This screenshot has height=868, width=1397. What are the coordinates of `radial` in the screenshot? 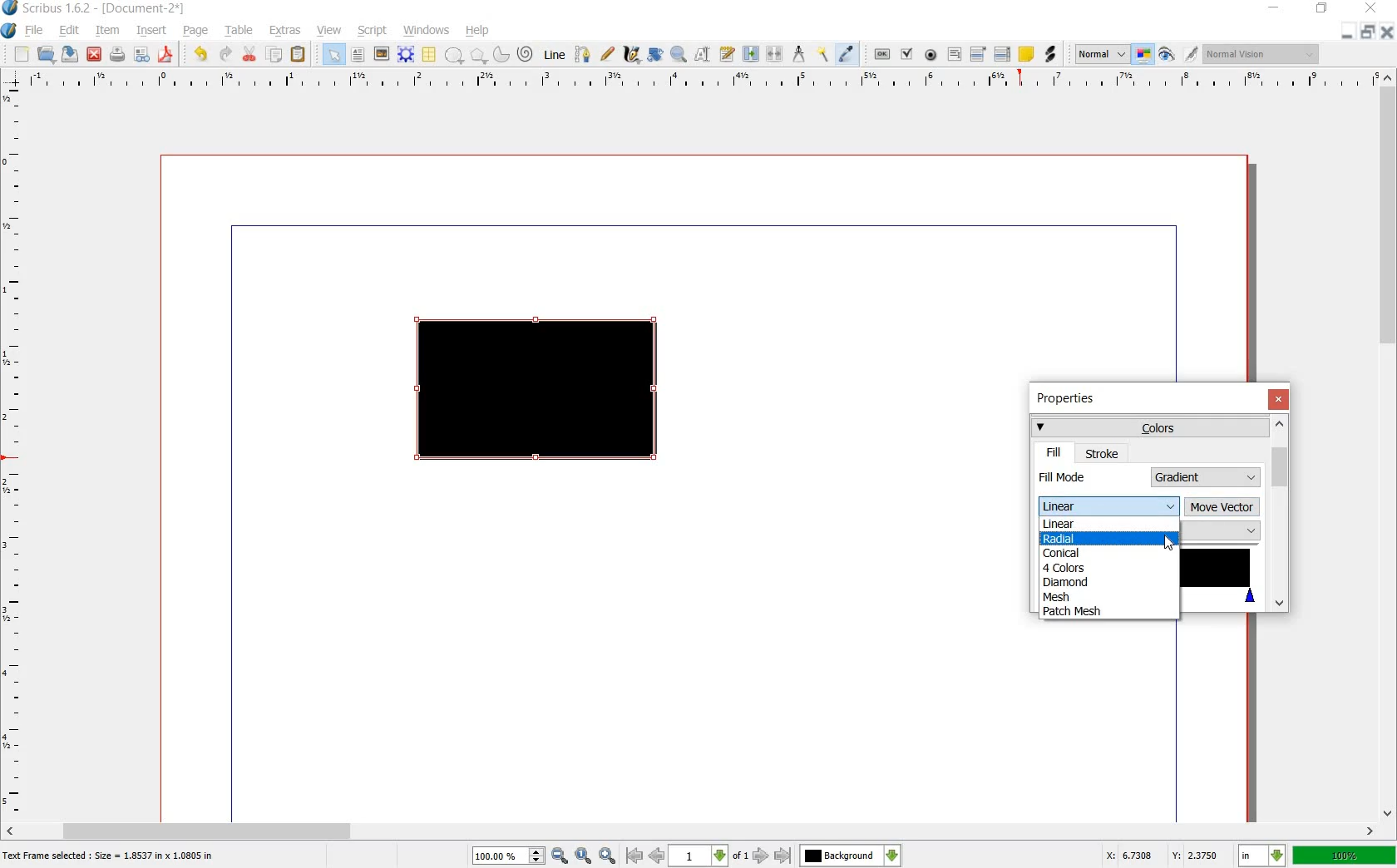 It's located at (1069, 539).